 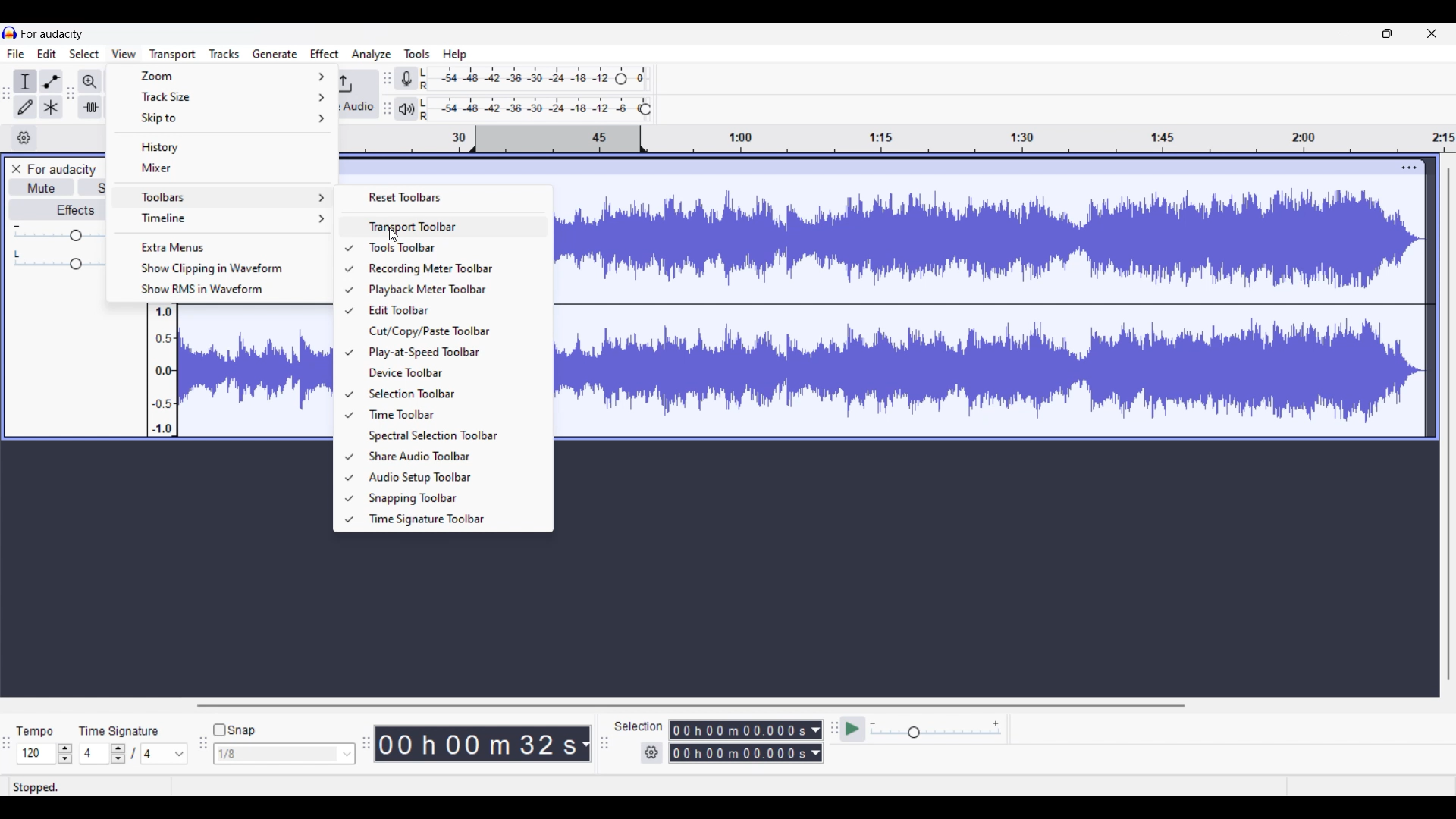 What do you see at coordinates (16, 54) in the screenshot?
I see `File menu` at bounding box center [16, 54].